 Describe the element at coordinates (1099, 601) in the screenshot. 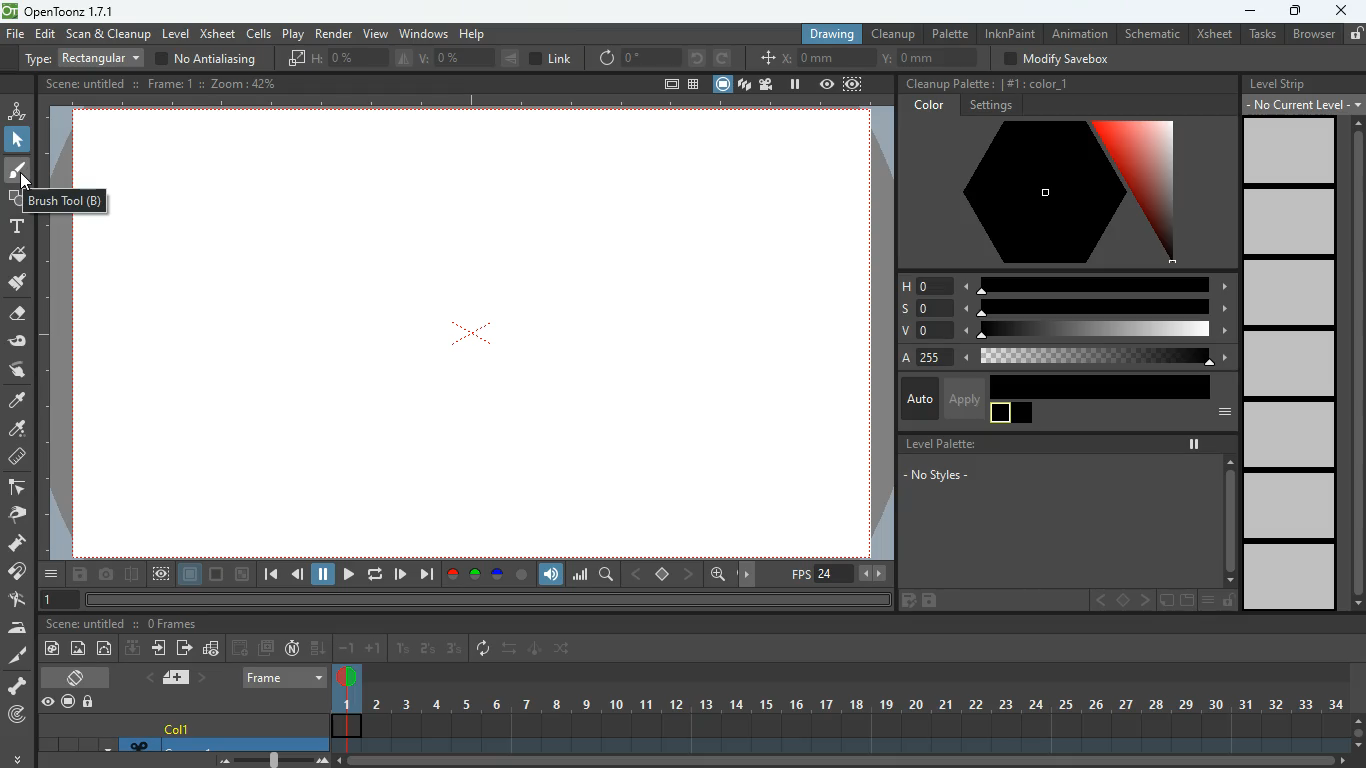

I see `left` at that location.